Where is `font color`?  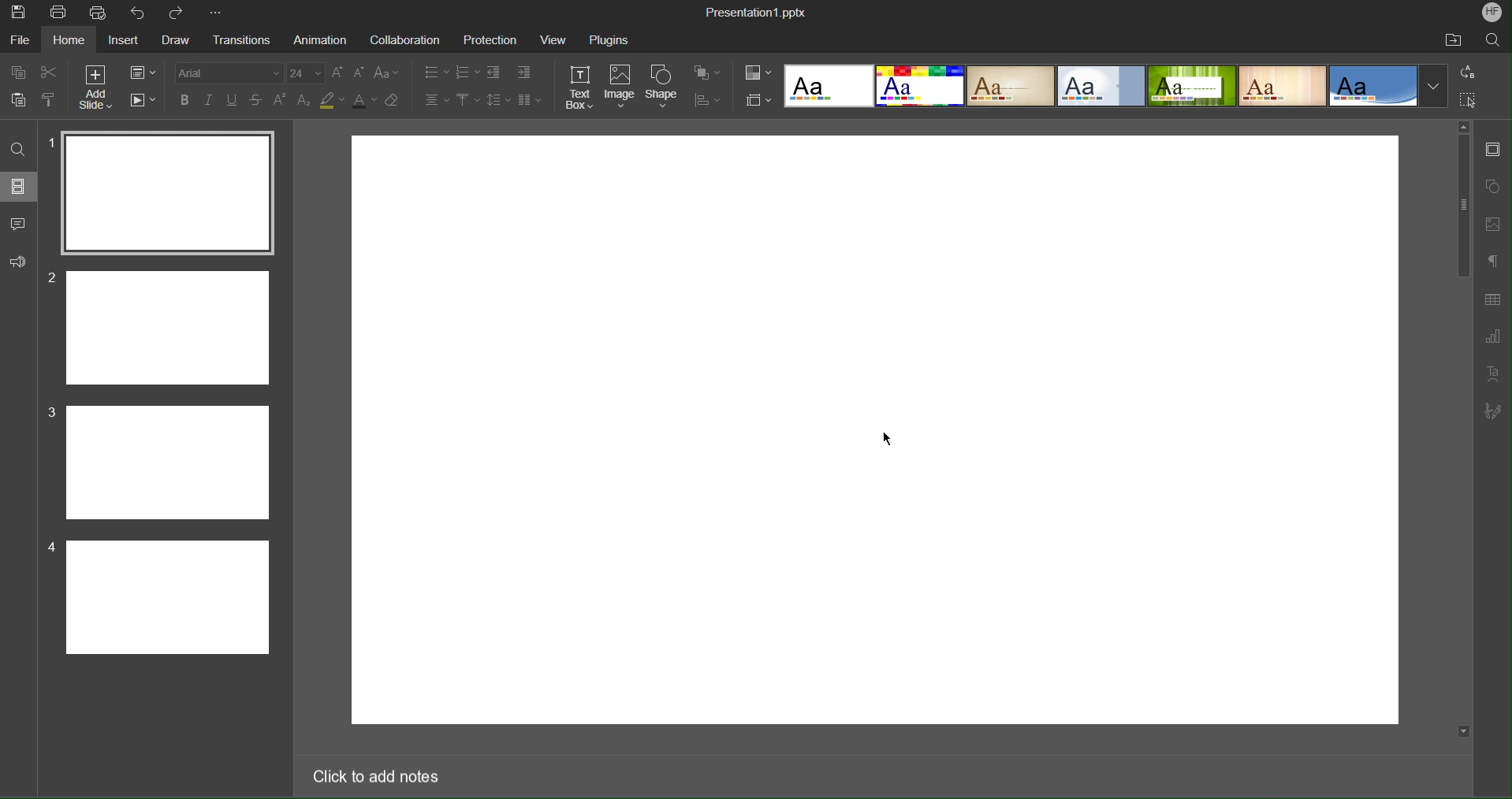
font color is located at coordinates (365, 102).